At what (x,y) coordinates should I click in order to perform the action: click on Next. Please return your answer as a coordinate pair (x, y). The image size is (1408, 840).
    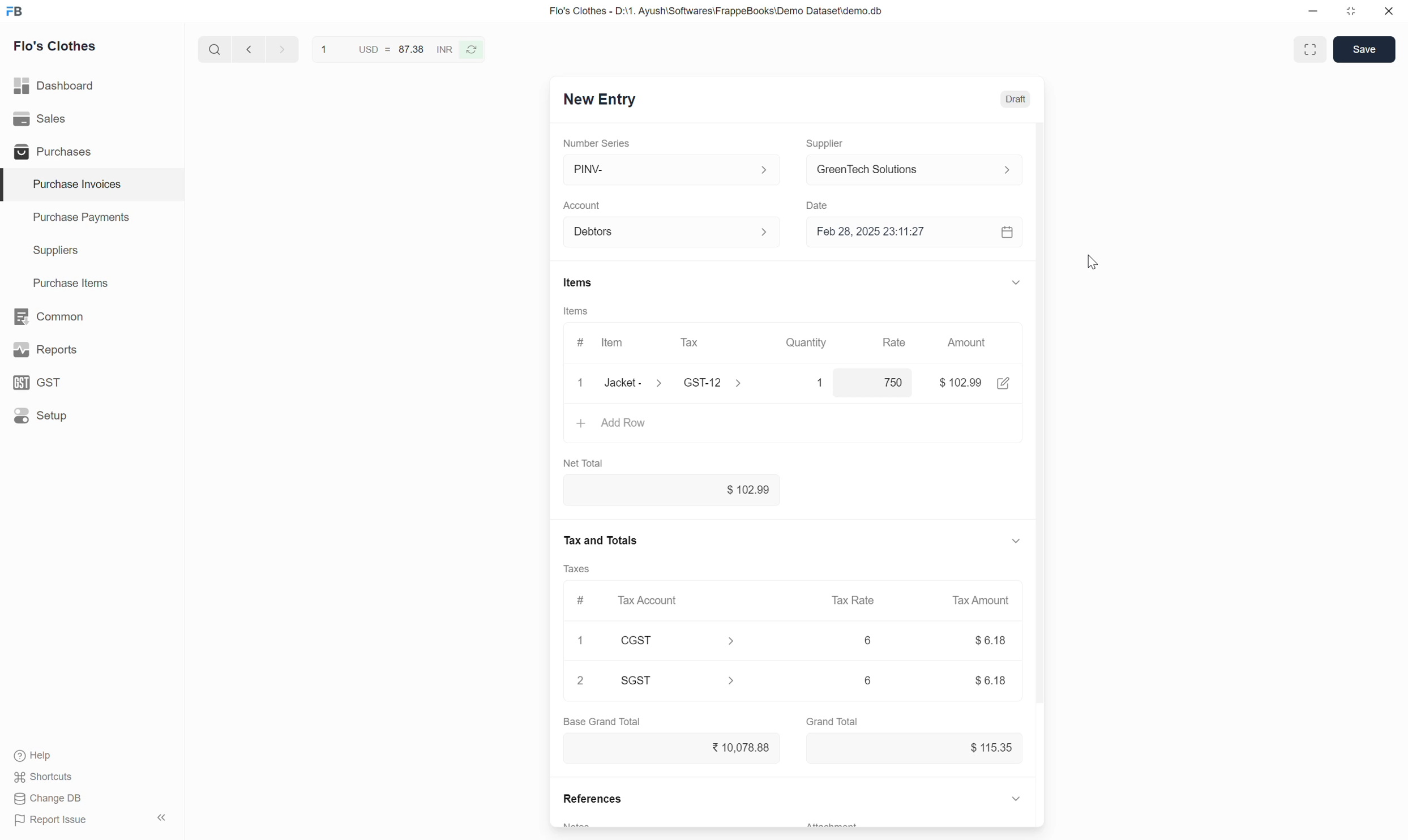
    Looking at the image, I should click on (283, 49).